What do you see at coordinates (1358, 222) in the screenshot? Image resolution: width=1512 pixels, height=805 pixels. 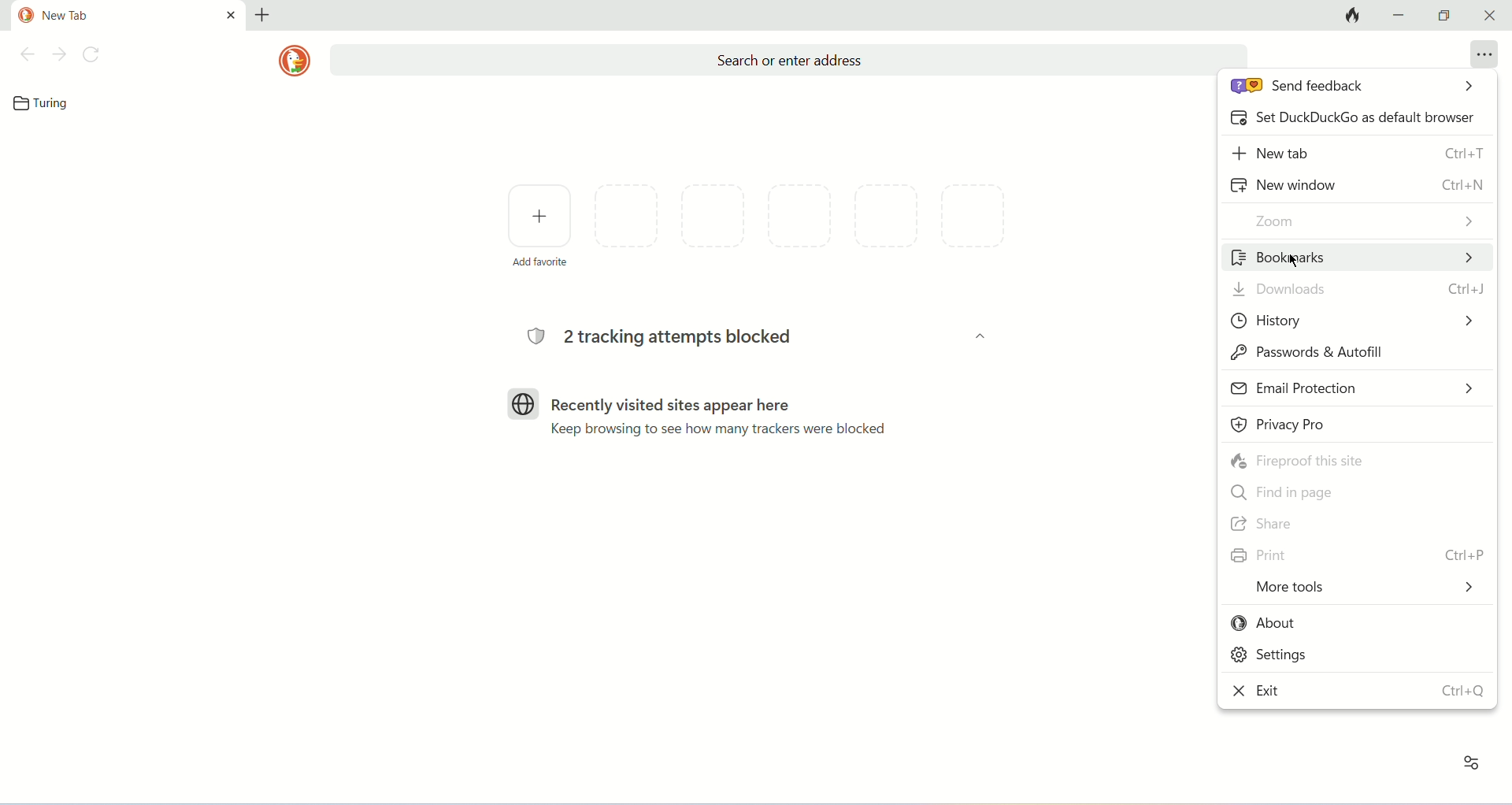 I see `zoom` at bounding box center [1358, 222].